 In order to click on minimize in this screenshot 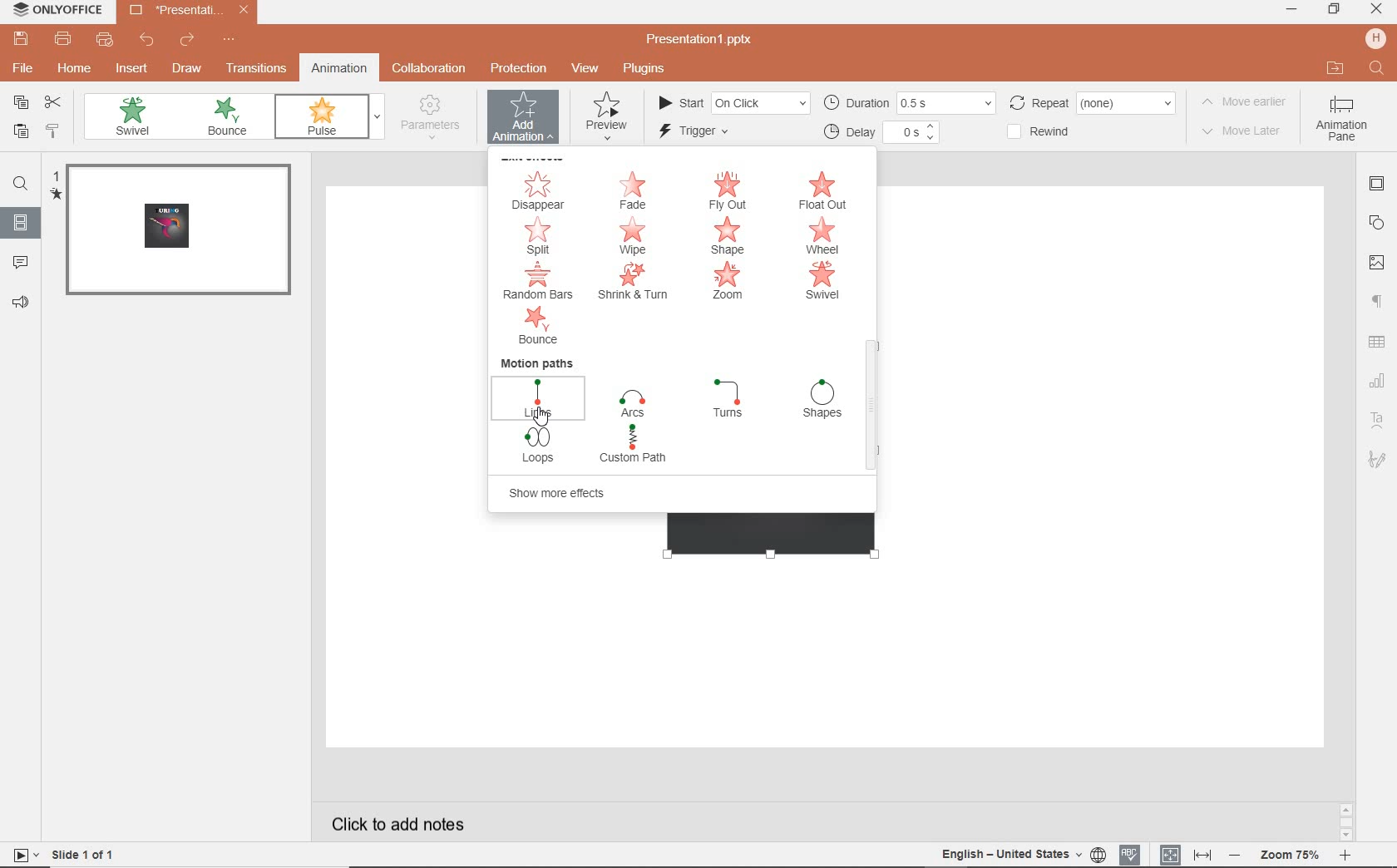, I will do `click(1293, 10)`.